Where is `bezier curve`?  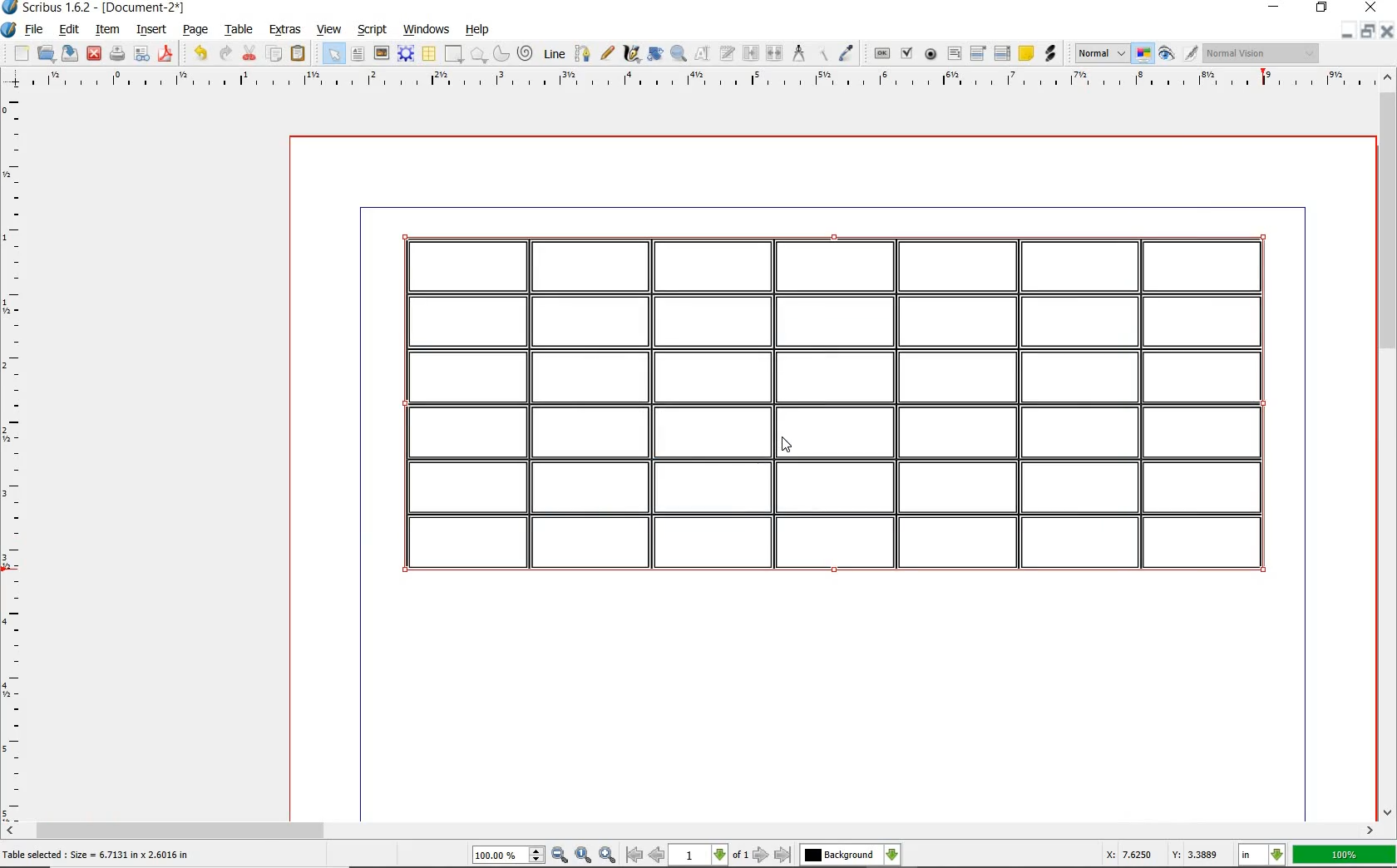
bezier curve is located at coordinates (583, 56).